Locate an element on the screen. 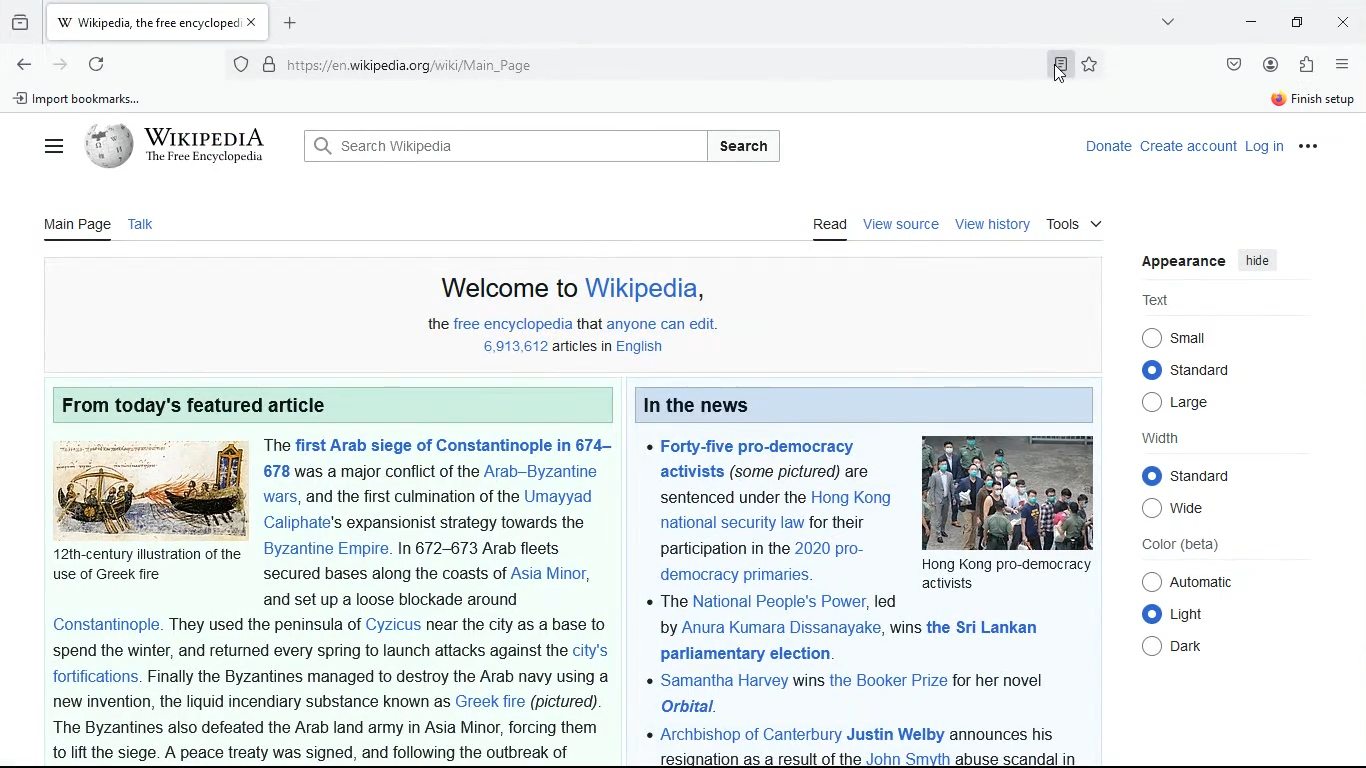 The image size is (1366, 768). title is located at coordinates (723, 403).